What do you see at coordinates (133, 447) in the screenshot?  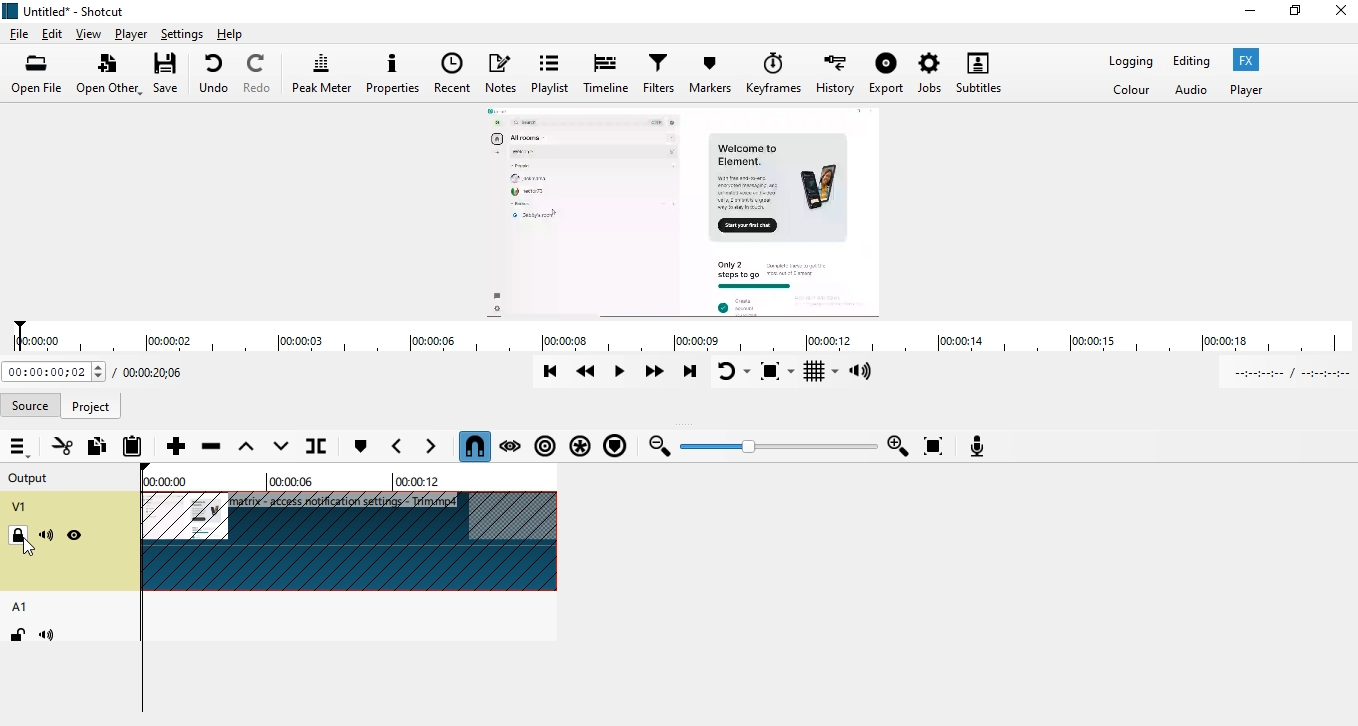 I see `Paste` at bounding box center [133, 447].